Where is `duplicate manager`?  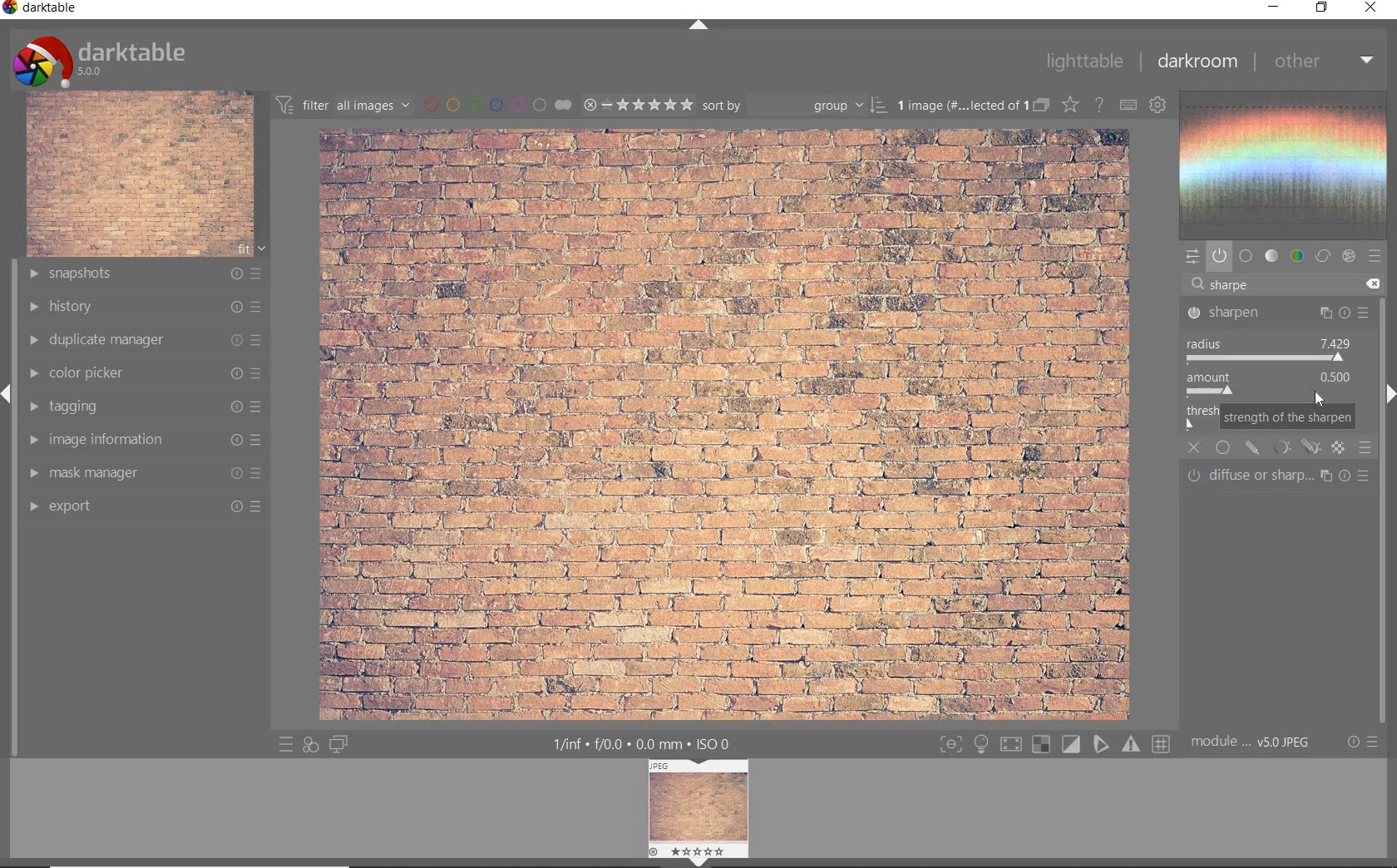 duplicate manager is located at coordinates (146, 342).